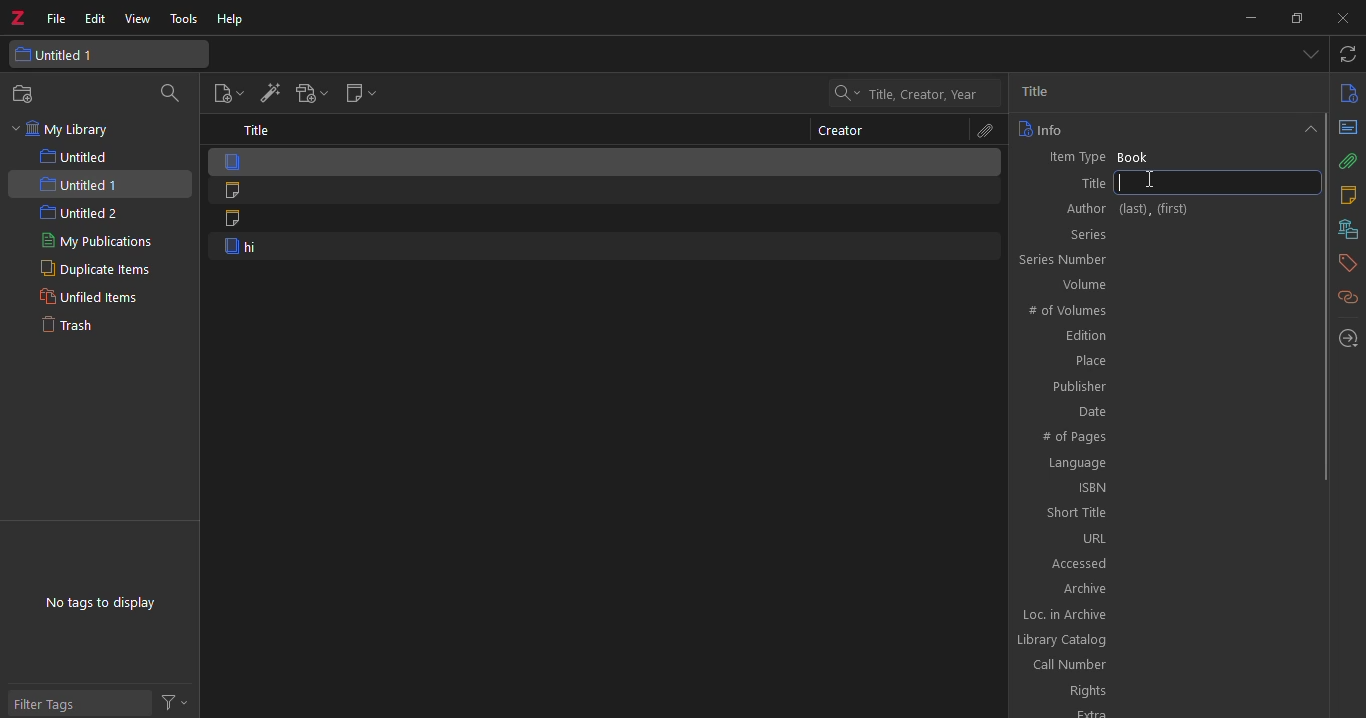 This screenshot has height=718, width=1366. What do you see at coordinates (1337, 18) in the screenshot?
I see `close` at bounding box center [1337, 18].